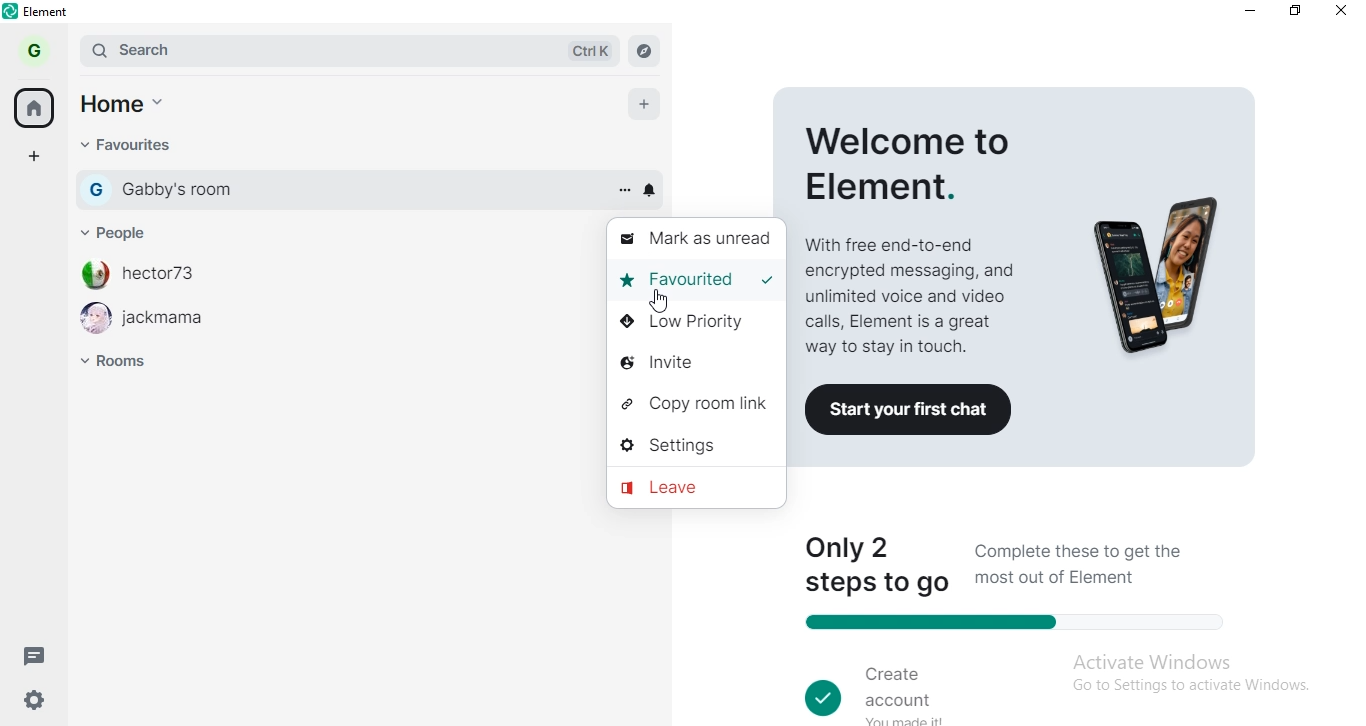 This screenshot has width=1366, height=726. I want to click on copy room link, so click(692, 401).